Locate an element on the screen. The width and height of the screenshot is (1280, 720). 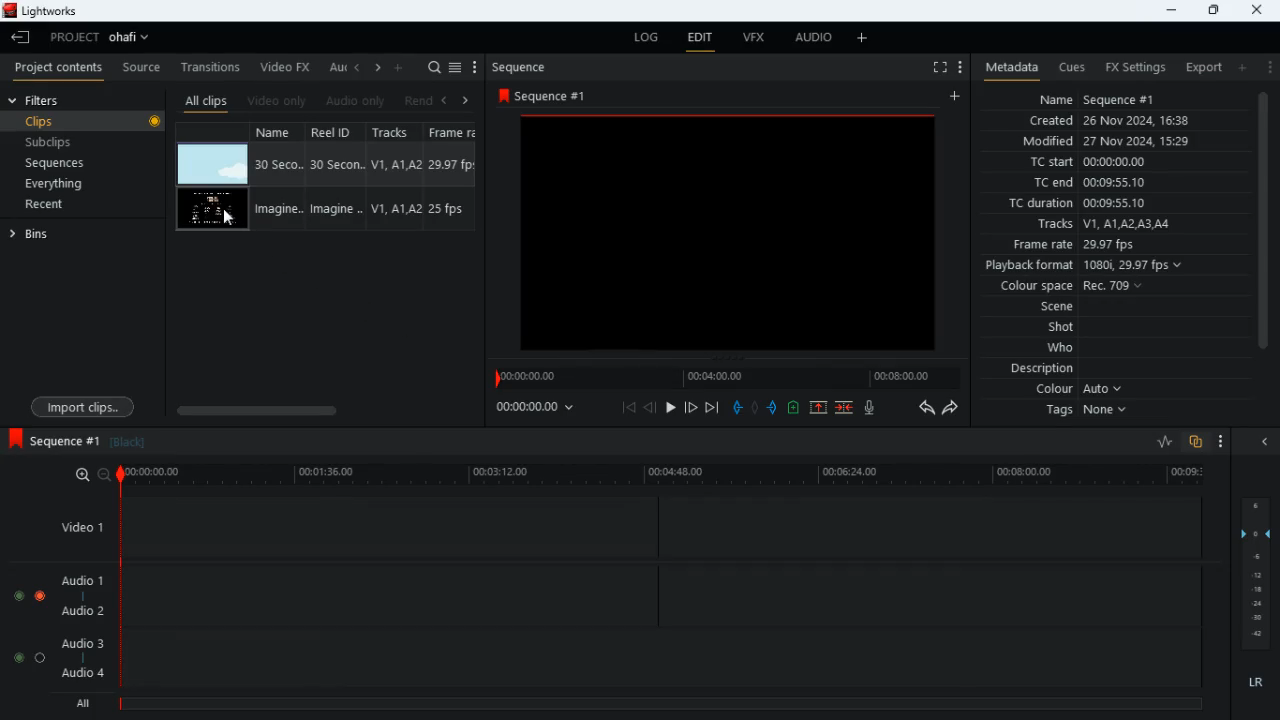
audio is located at coordinates (809, 39).